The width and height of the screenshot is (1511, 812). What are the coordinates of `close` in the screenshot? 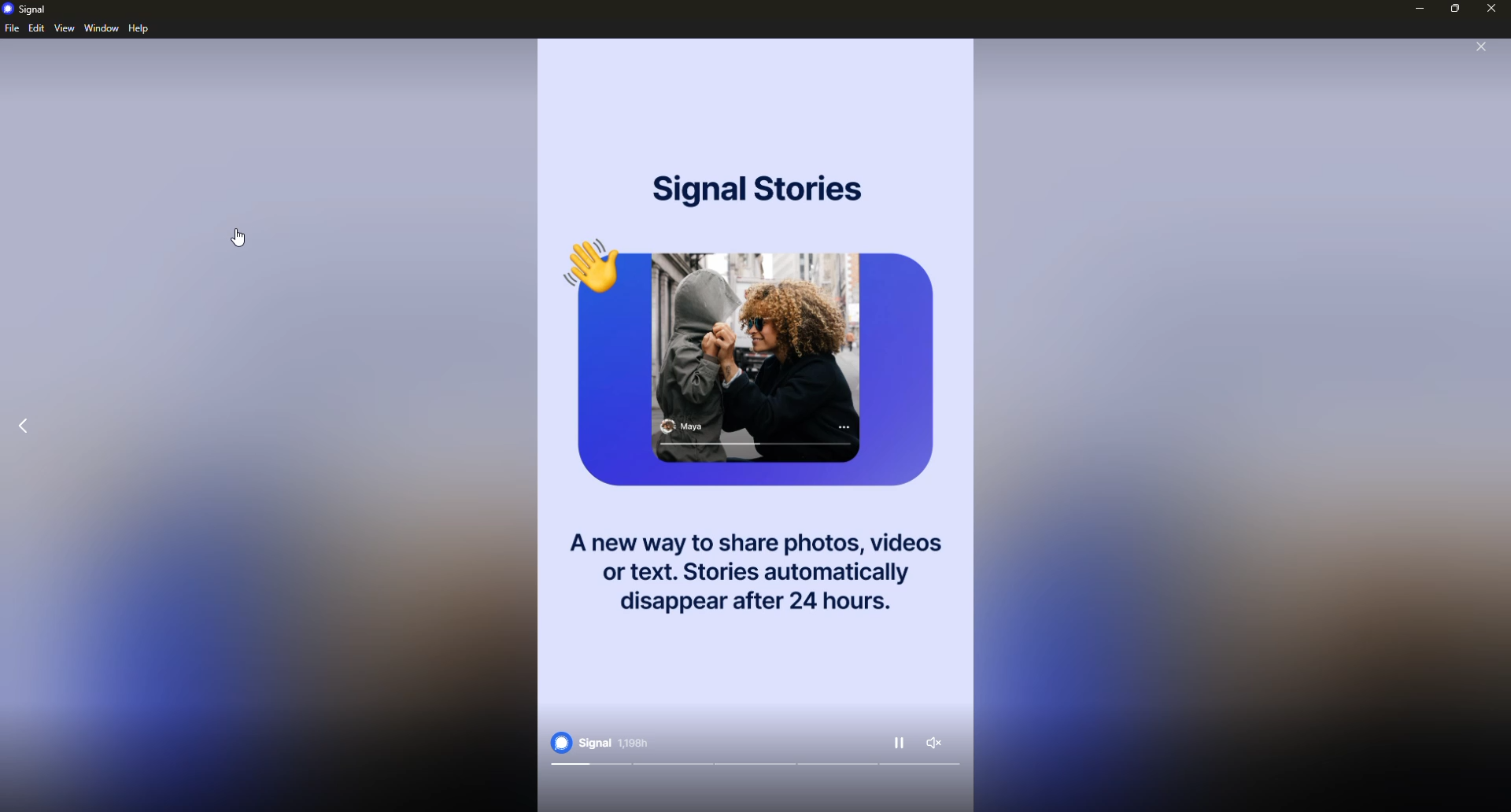 It's located at (1492, 9).